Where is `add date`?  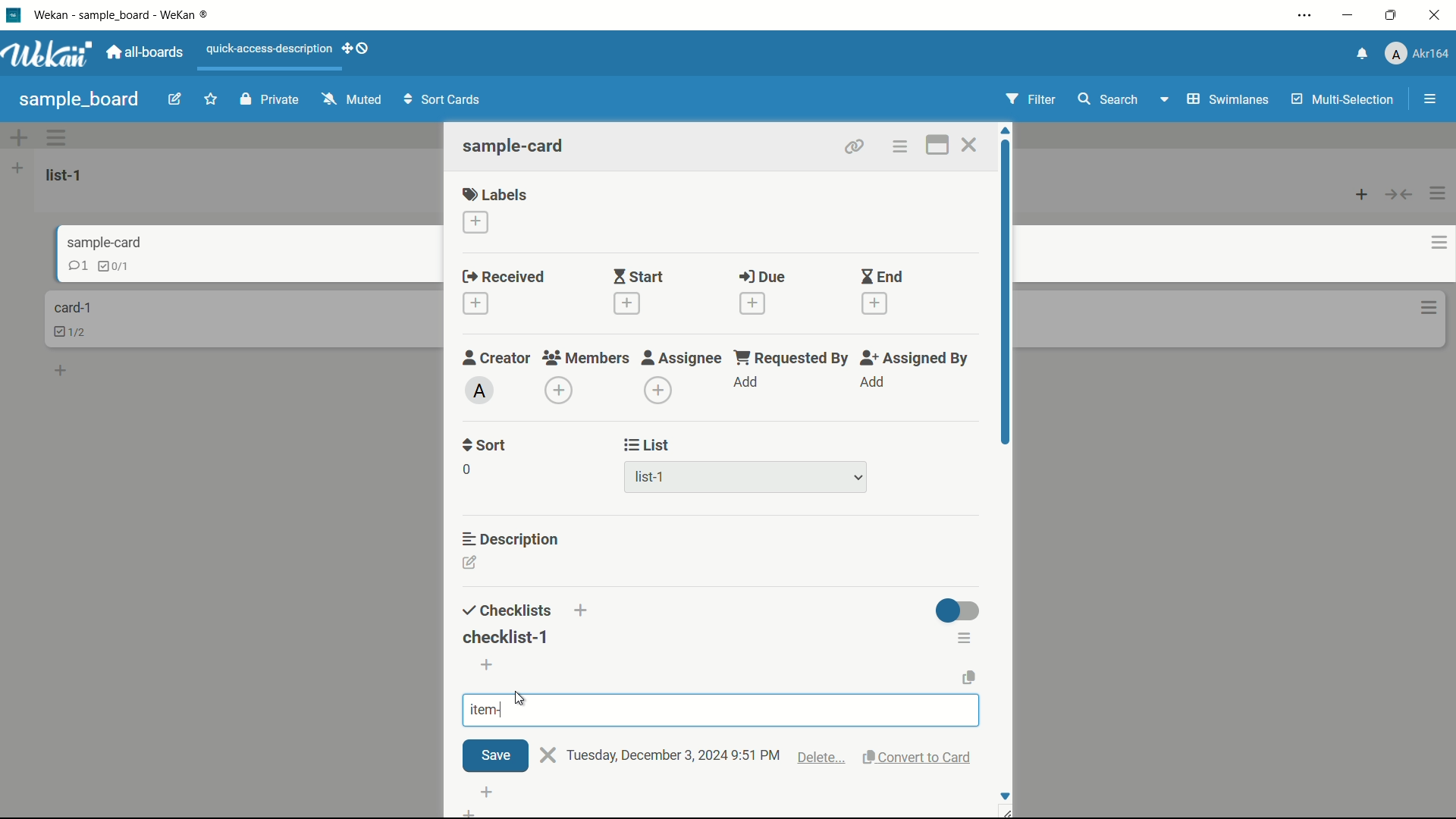 add date is located at coordinates (627, 303).